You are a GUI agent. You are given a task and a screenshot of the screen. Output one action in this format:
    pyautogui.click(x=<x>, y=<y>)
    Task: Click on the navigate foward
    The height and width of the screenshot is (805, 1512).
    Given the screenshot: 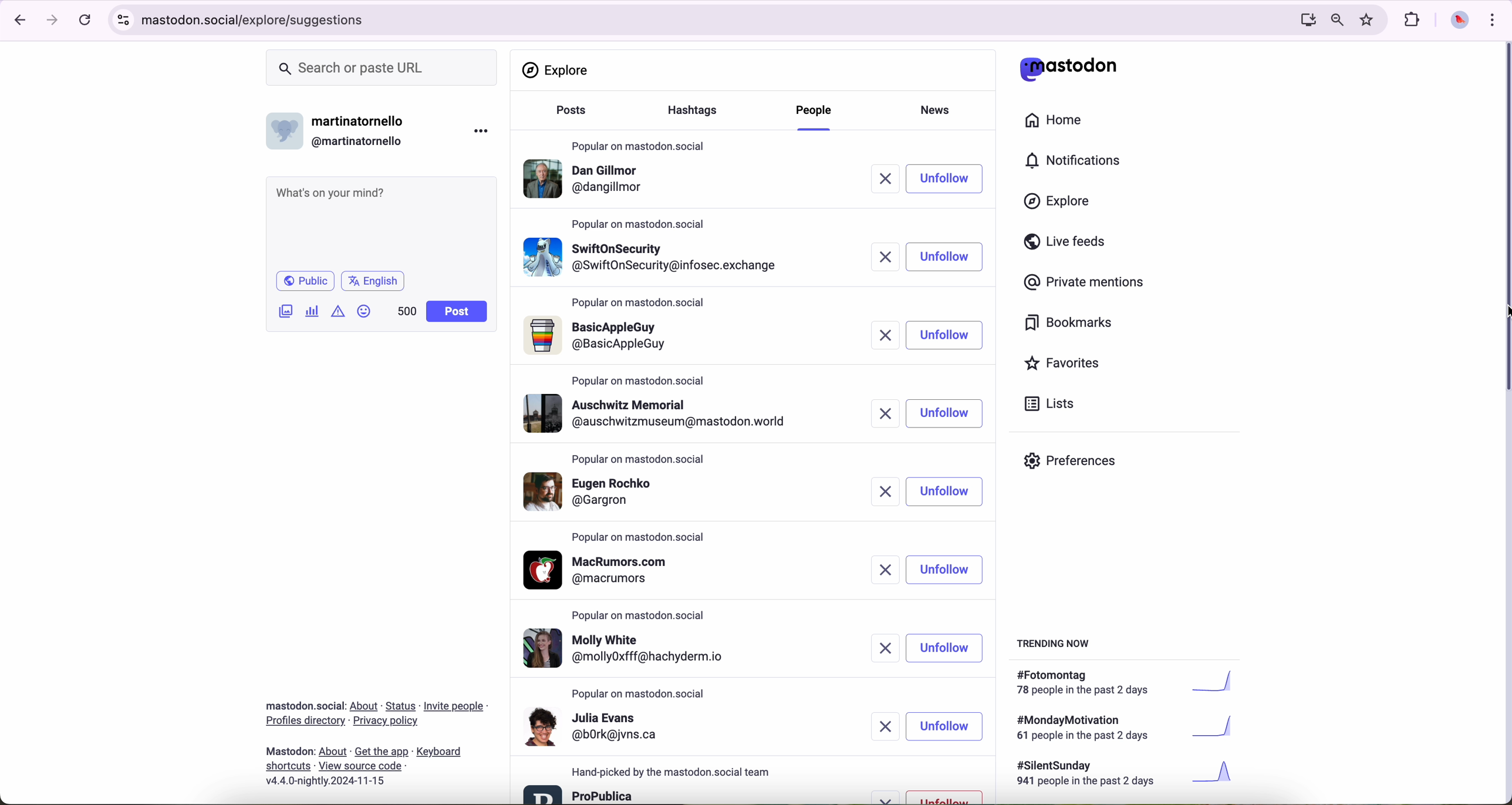 What is the action you would take?
    pyautogui.click(x=53, y=21)
    